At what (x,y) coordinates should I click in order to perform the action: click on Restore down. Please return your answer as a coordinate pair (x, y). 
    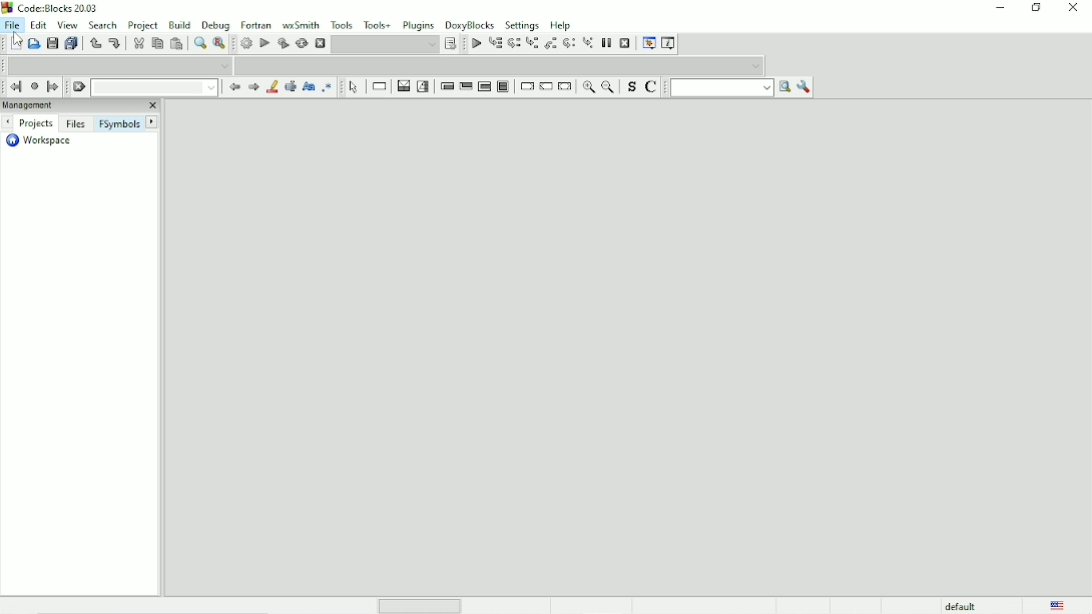
    Looking at the image, I should click on (1037, 8).